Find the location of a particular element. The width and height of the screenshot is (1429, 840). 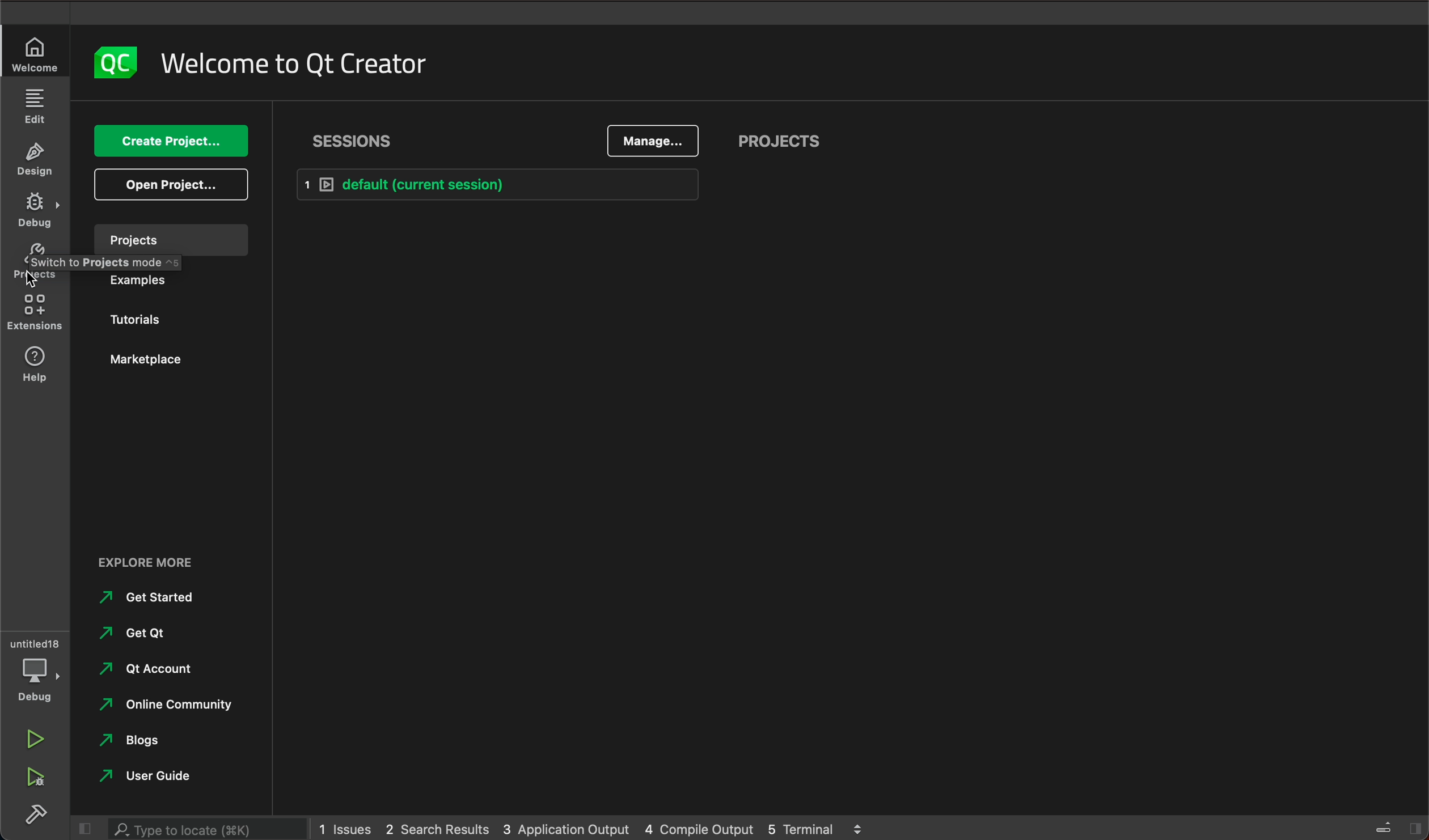

WELCOME is located at coordinates (35, 53).